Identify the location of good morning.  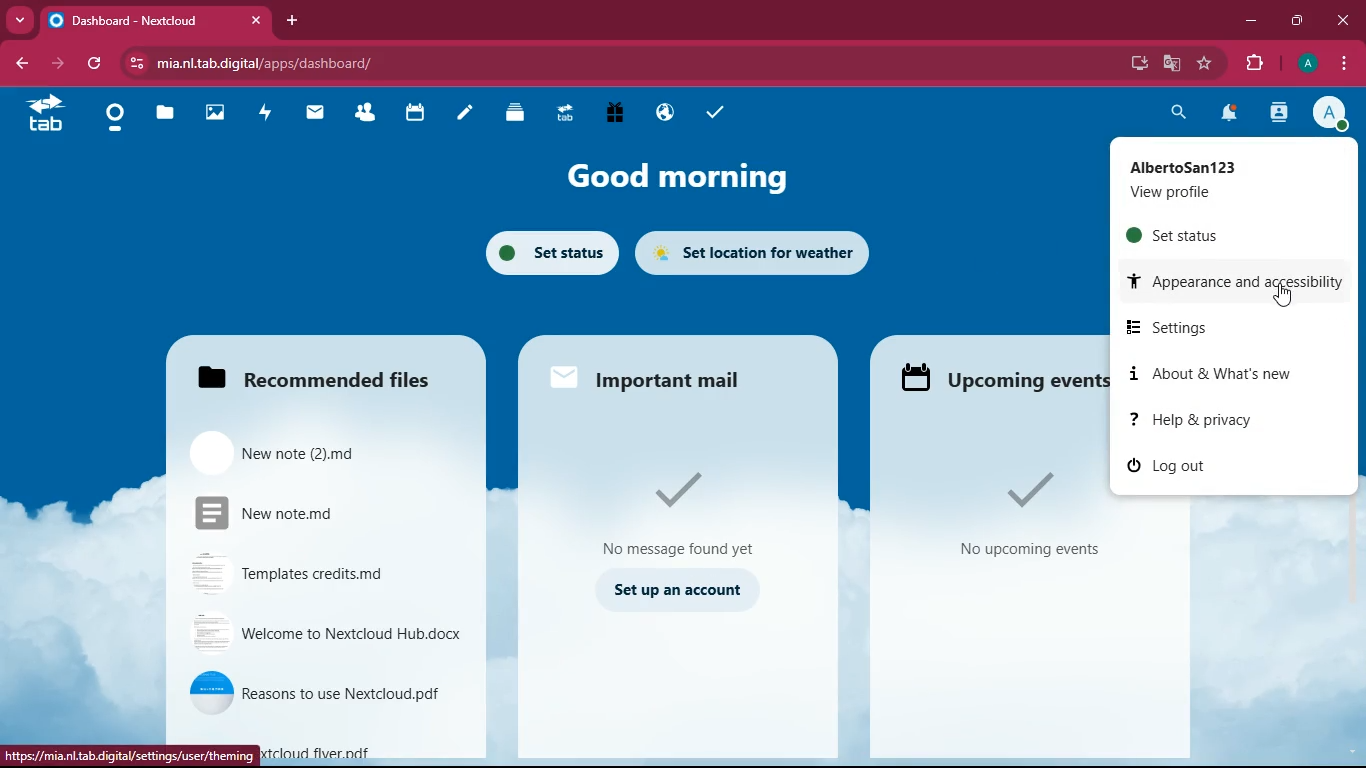
(665, 173).